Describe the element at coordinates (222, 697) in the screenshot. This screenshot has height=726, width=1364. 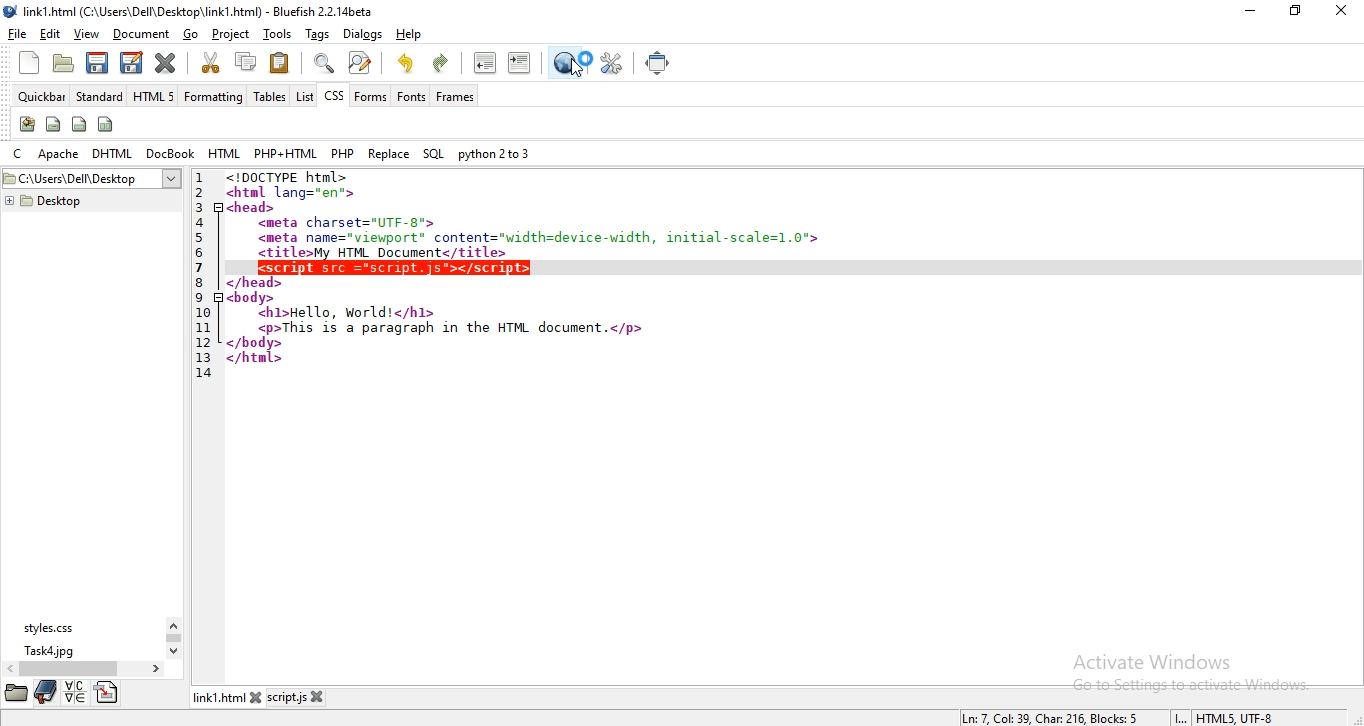
I see `link1` at that location.